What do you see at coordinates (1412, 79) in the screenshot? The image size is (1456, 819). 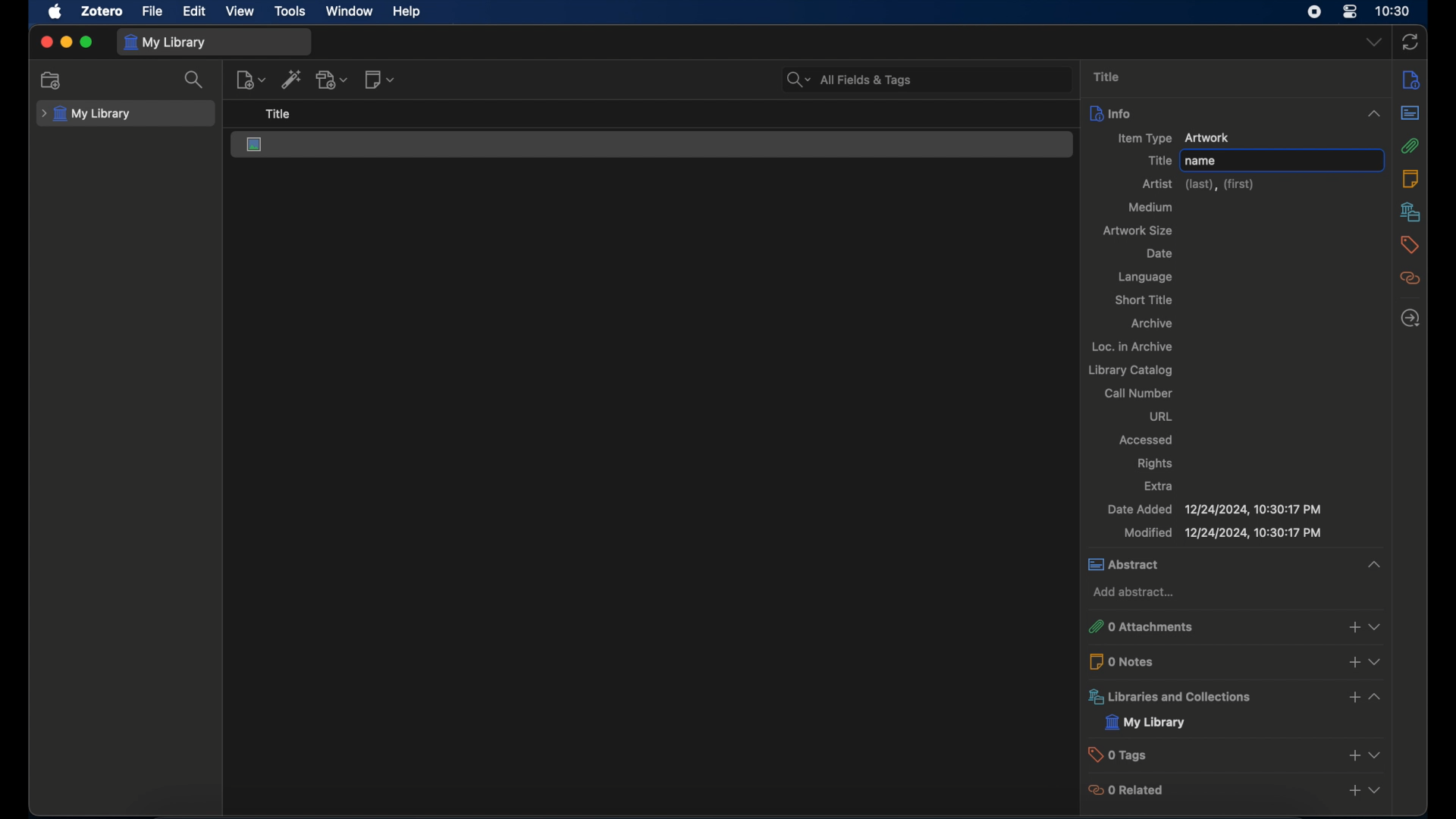 I see `notes` at bounding box center [1412, 79].